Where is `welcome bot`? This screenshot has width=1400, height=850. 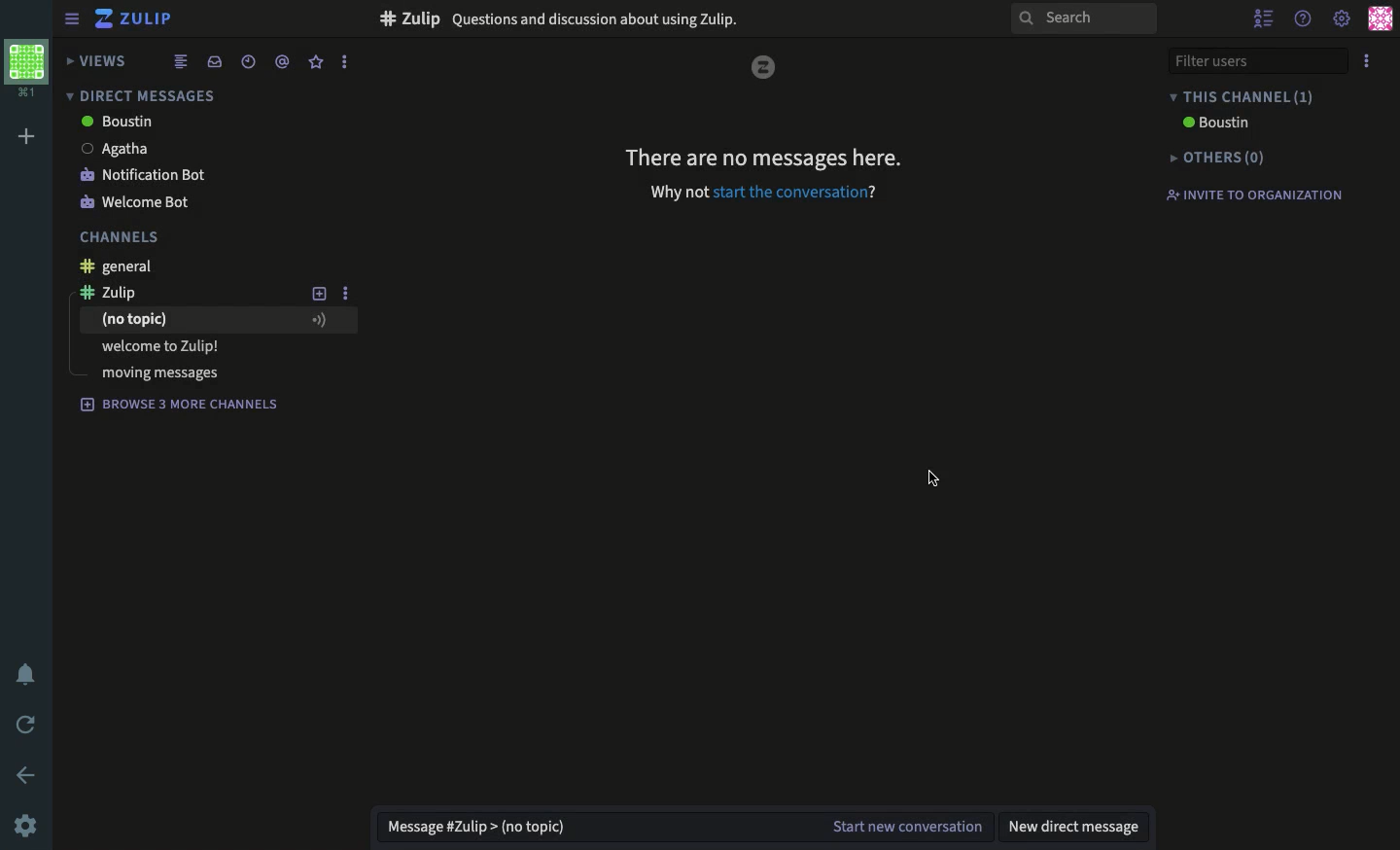 welcome bot is located at coordinates (139, 202).